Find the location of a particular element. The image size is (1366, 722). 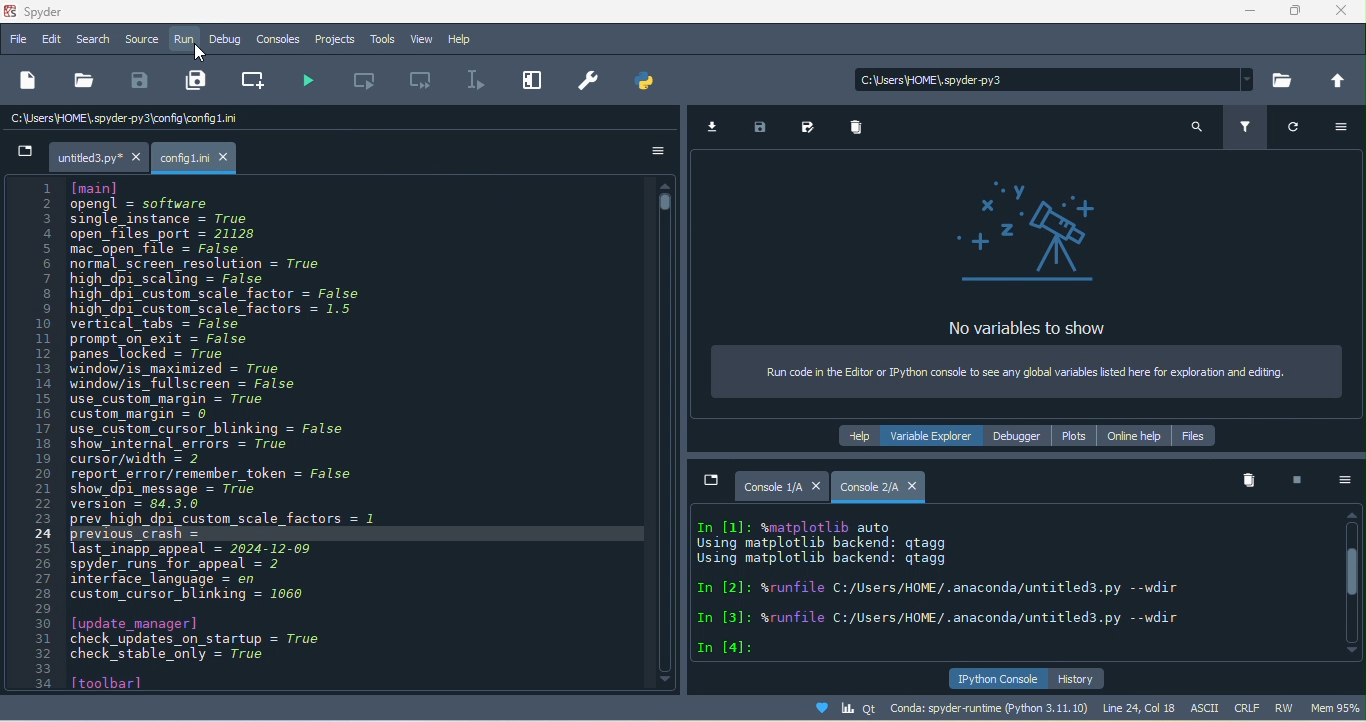

save is located at coordinates (760, 128).